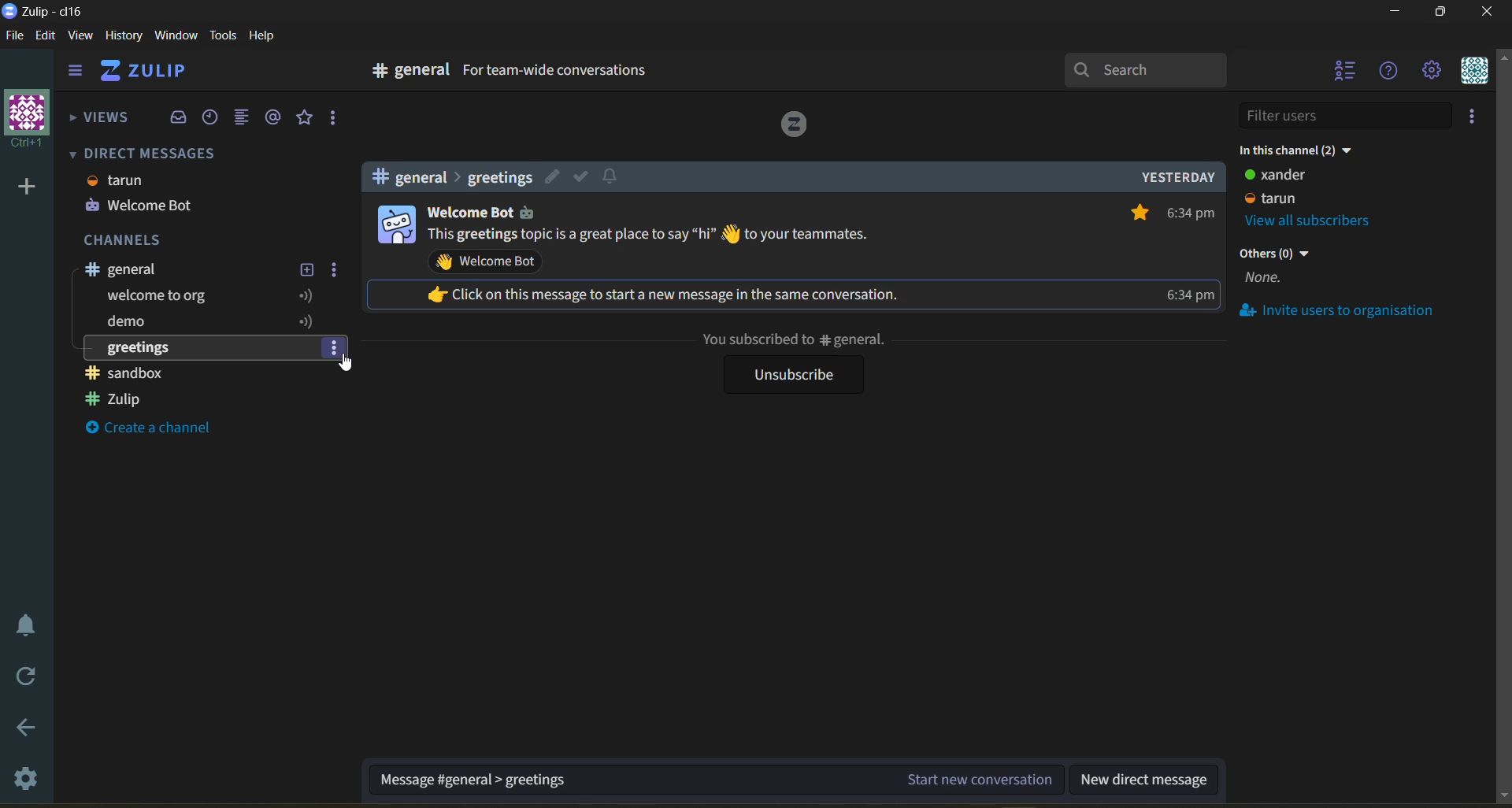  What do you see at coordinates (25, 730) in the screenshot?
I see `go back` at bounding box center [25, 730].